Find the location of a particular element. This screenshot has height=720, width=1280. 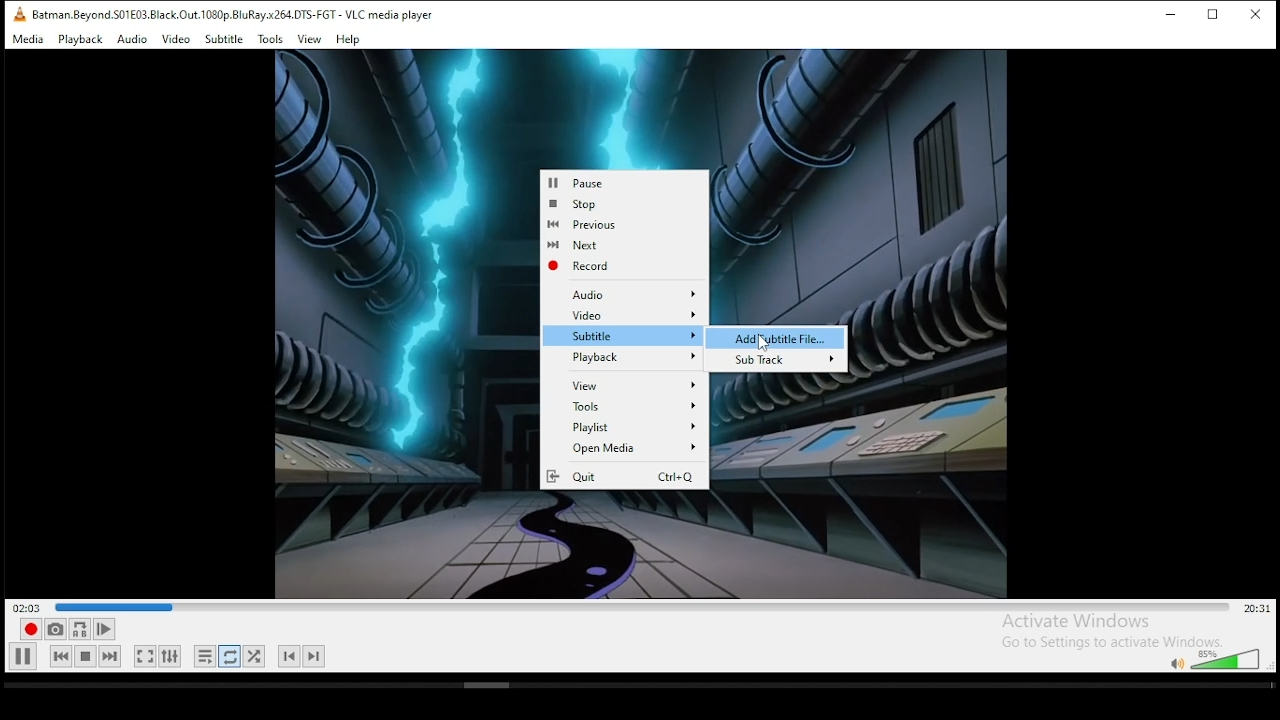

video preview is located at coordinates (386, 326).